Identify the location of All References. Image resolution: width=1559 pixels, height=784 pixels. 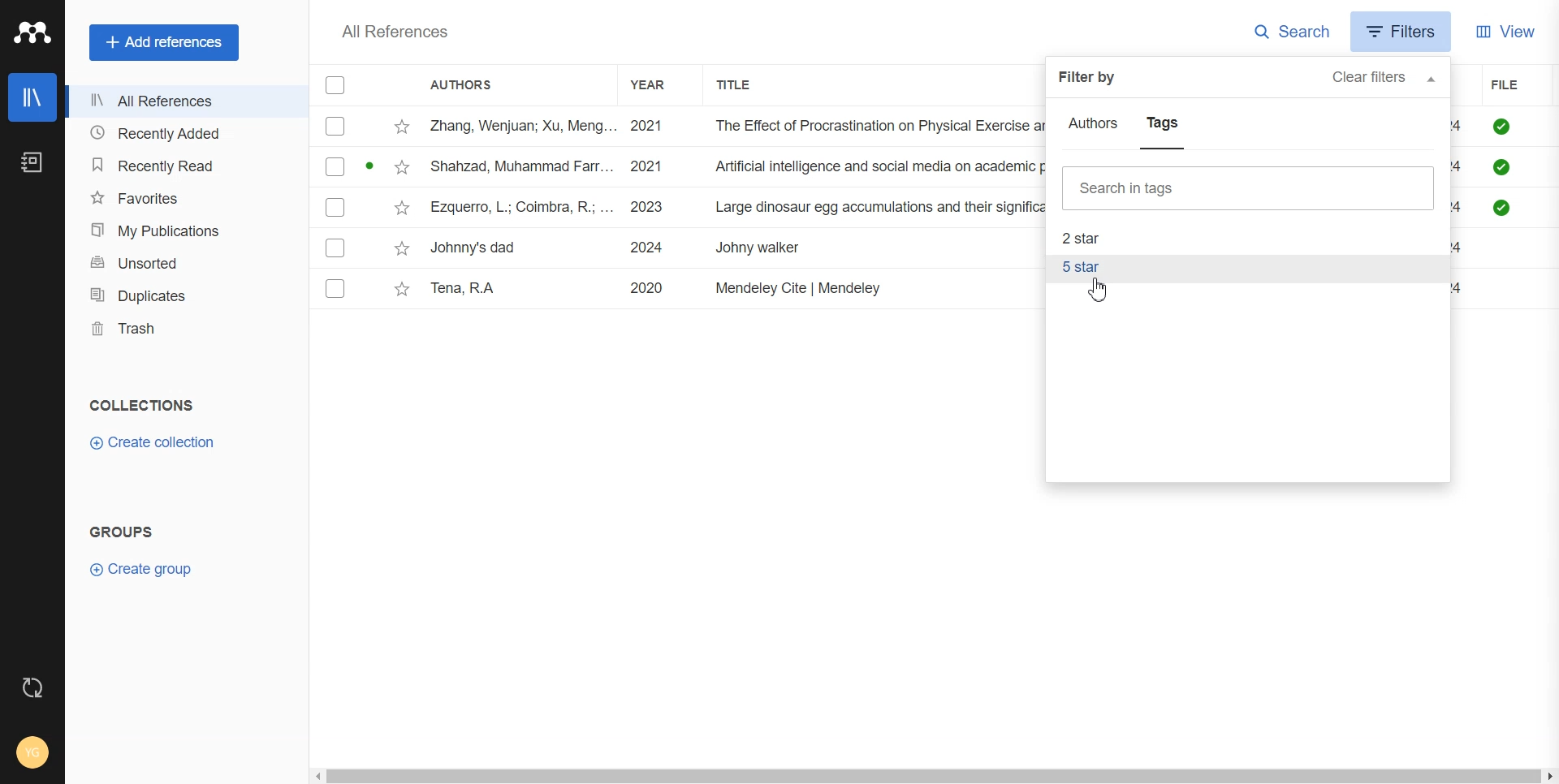
(184, 102).